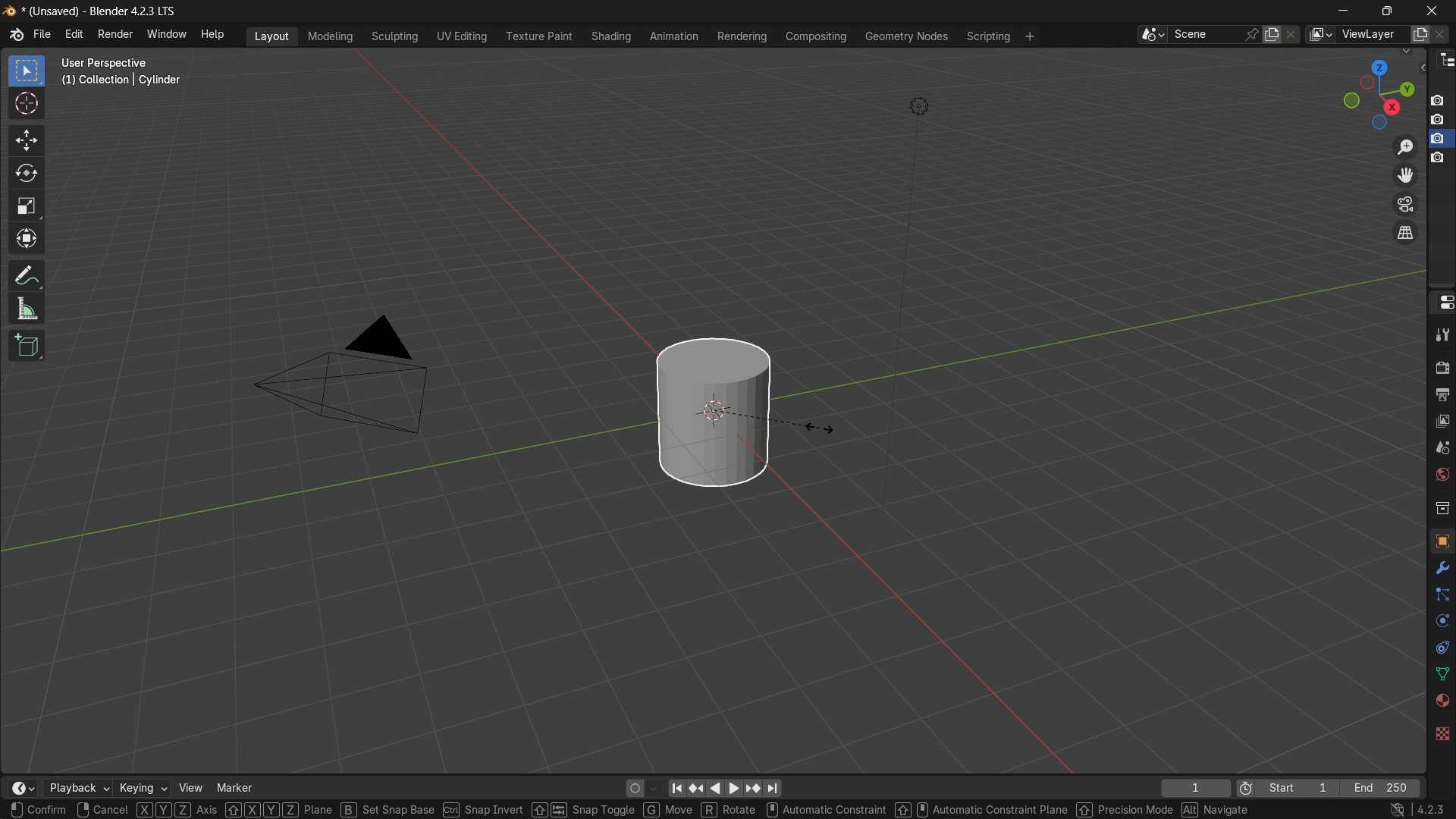  I want to click on shift and right left keyboard navigation keys for snap toggle, so click(584, 809).